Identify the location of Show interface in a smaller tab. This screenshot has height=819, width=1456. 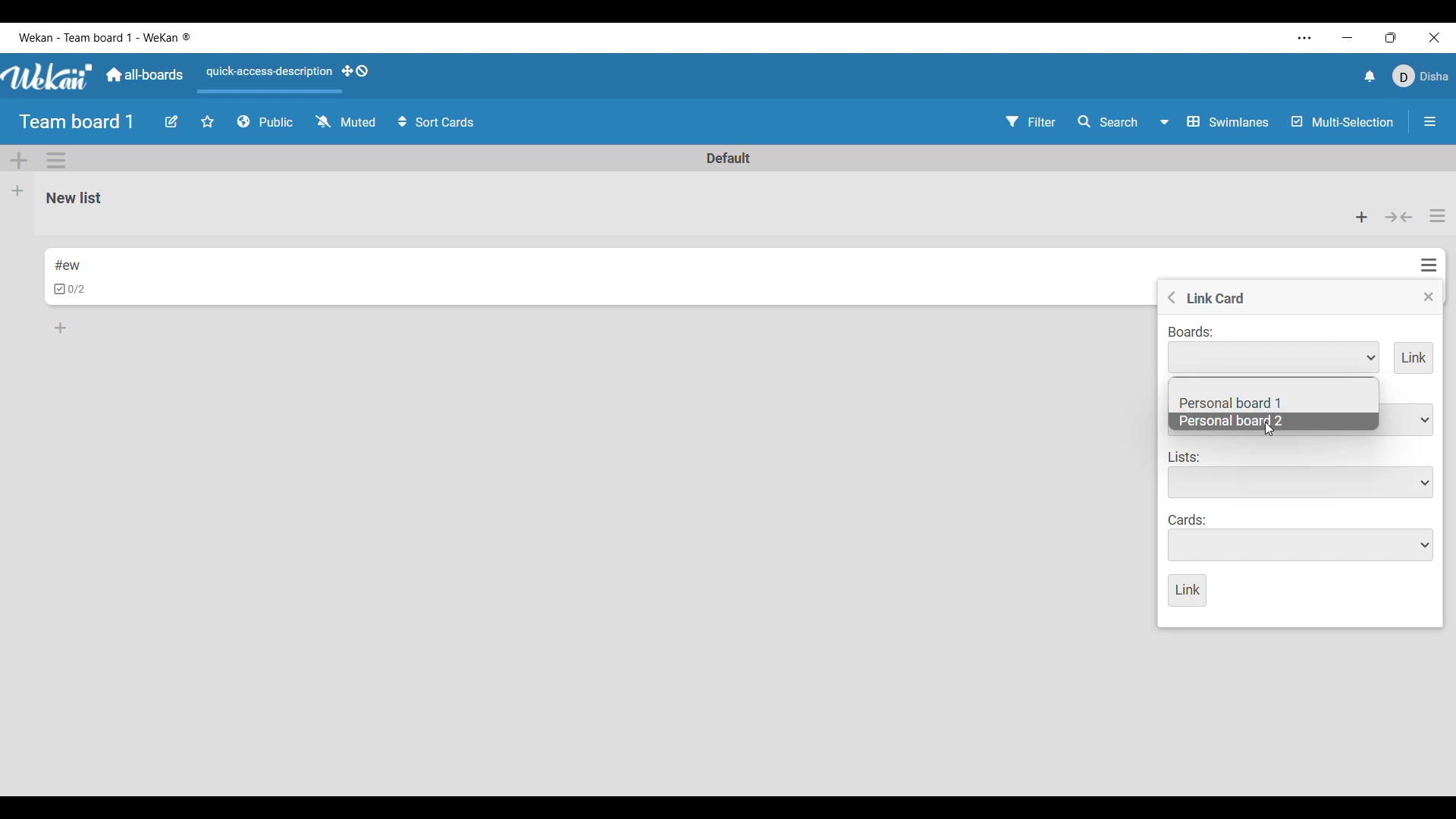
(1391, 38).